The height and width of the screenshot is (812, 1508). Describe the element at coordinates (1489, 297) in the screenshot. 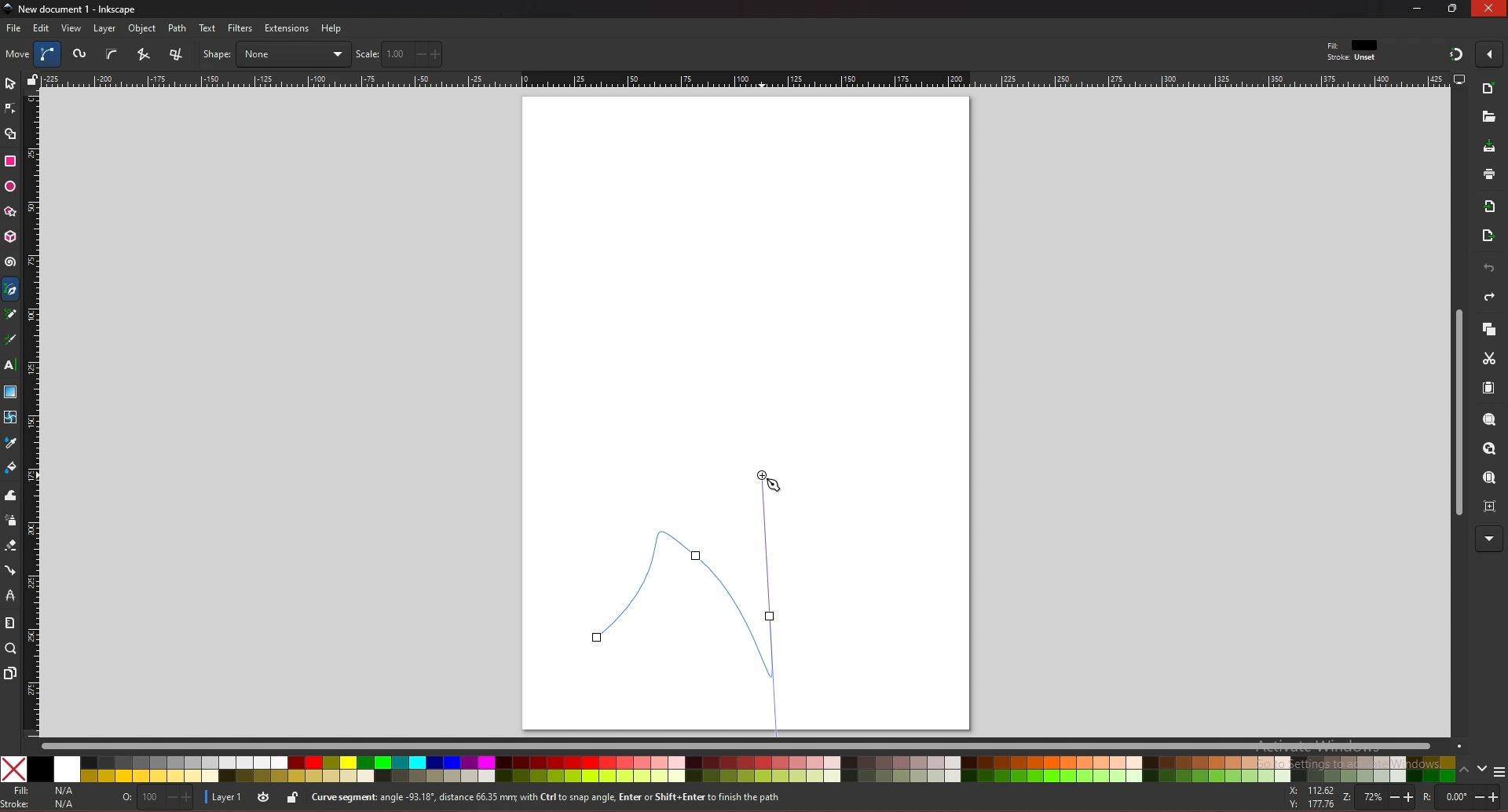

I see `redo` at that location.